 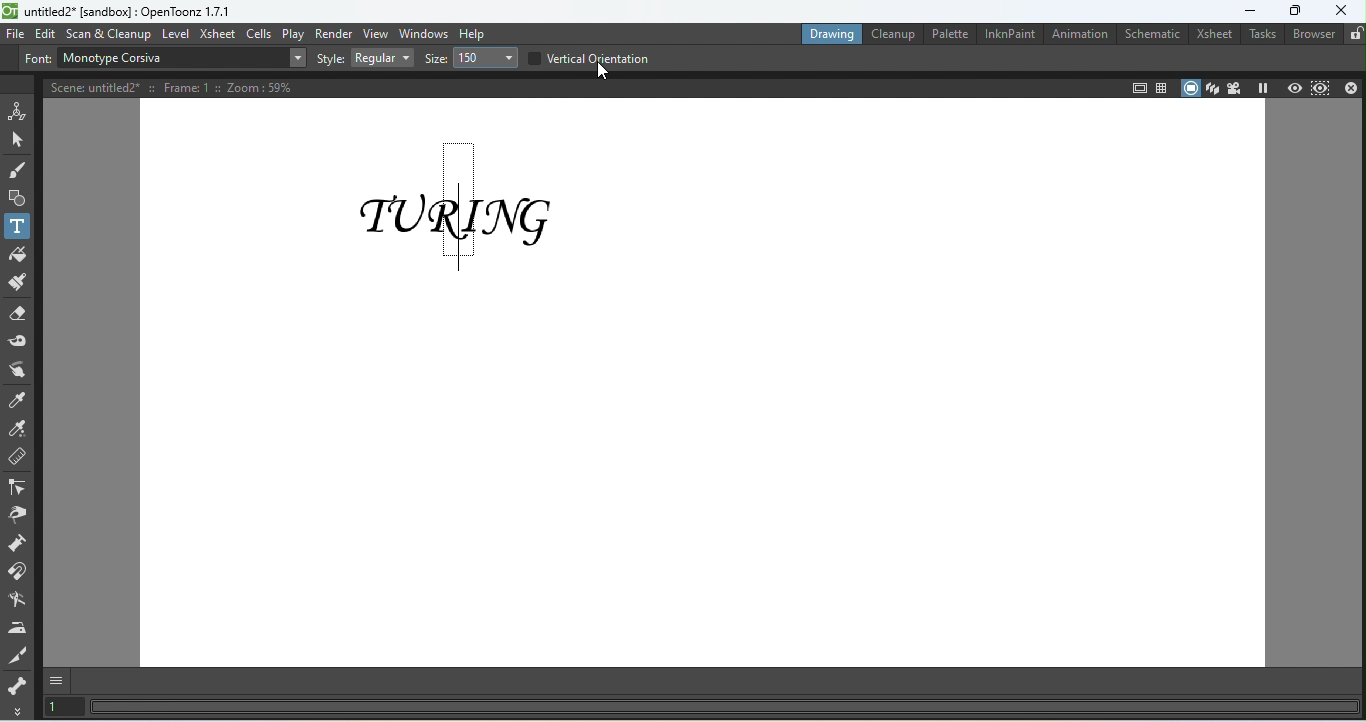 I want to click on Maximize, so click(x=1295, y=10).